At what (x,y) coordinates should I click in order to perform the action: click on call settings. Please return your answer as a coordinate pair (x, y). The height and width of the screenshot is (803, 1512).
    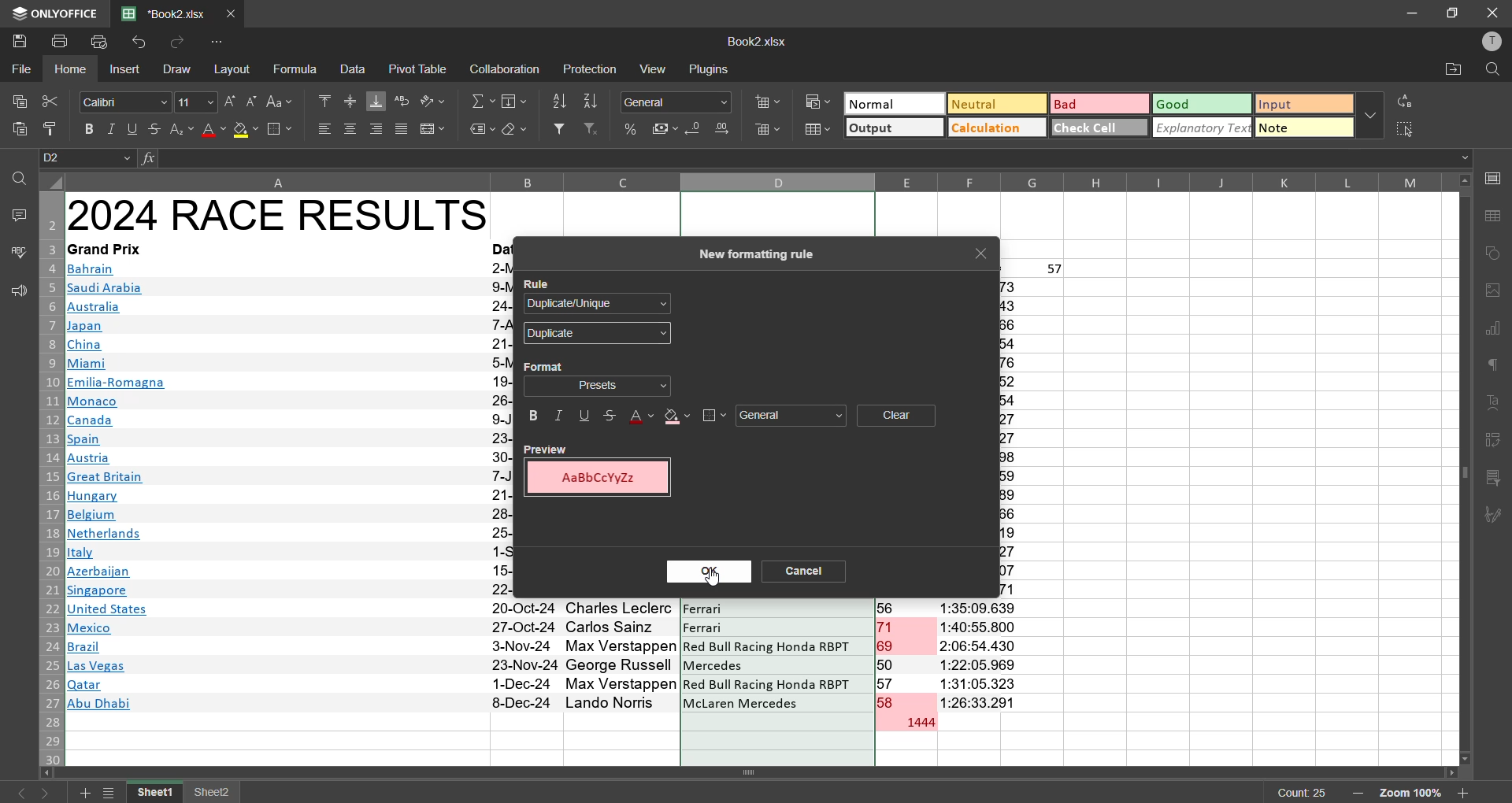
    Looking at the image, I should click on (1495, 182).